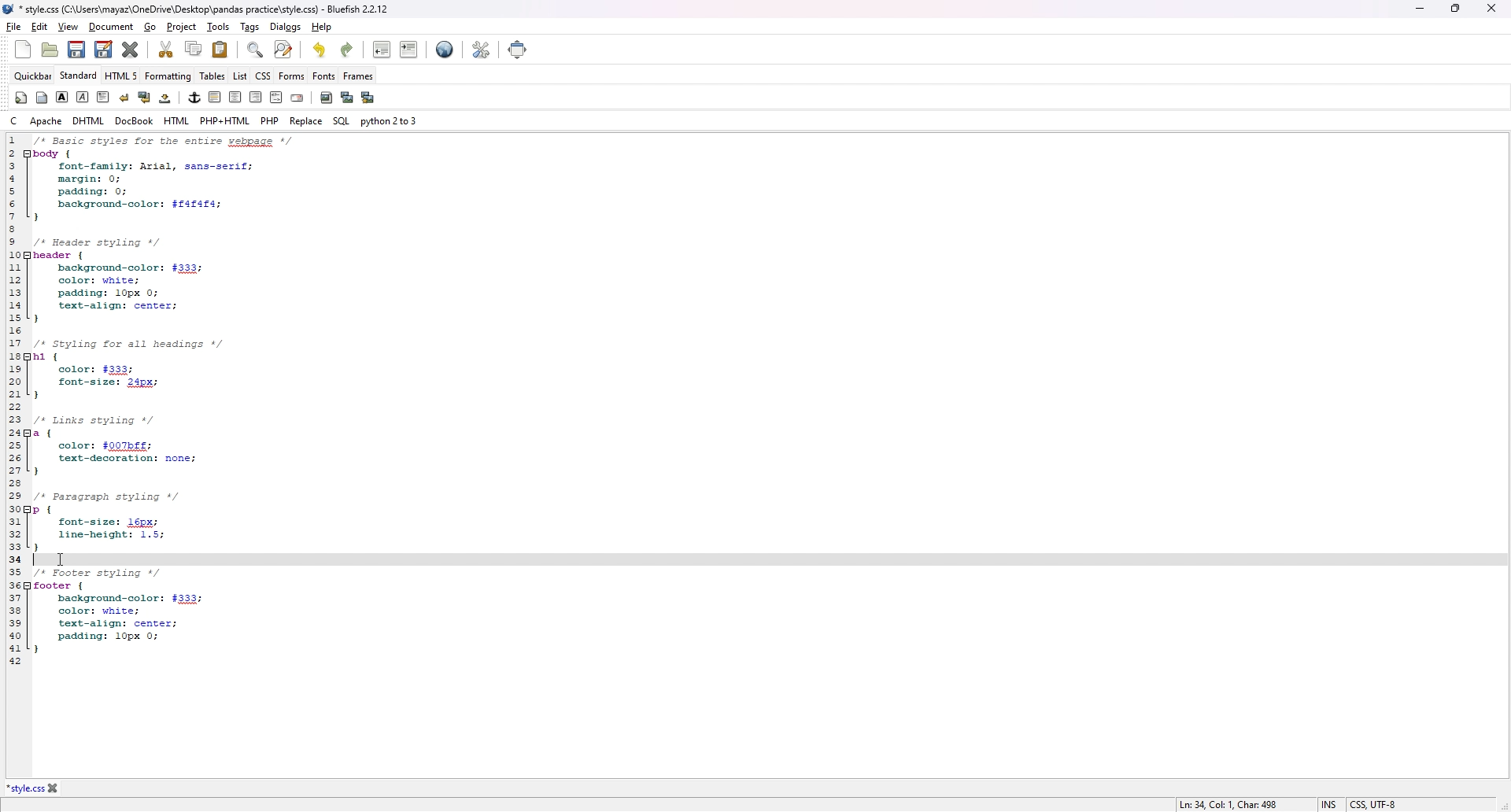 This screenshot has height=812, width=1511. I want to click on close, so click(1490, 8).